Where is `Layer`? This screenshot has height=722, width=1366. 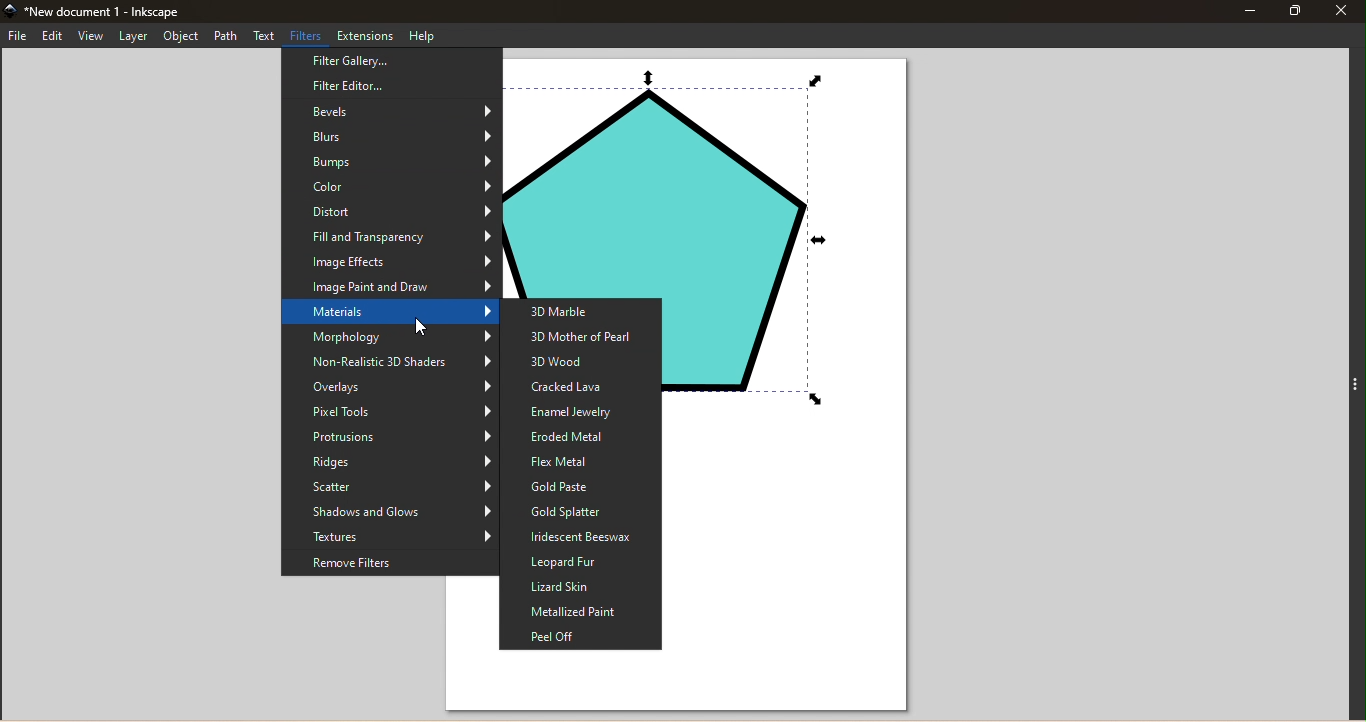
Layer is located at coordinates (133, 36).